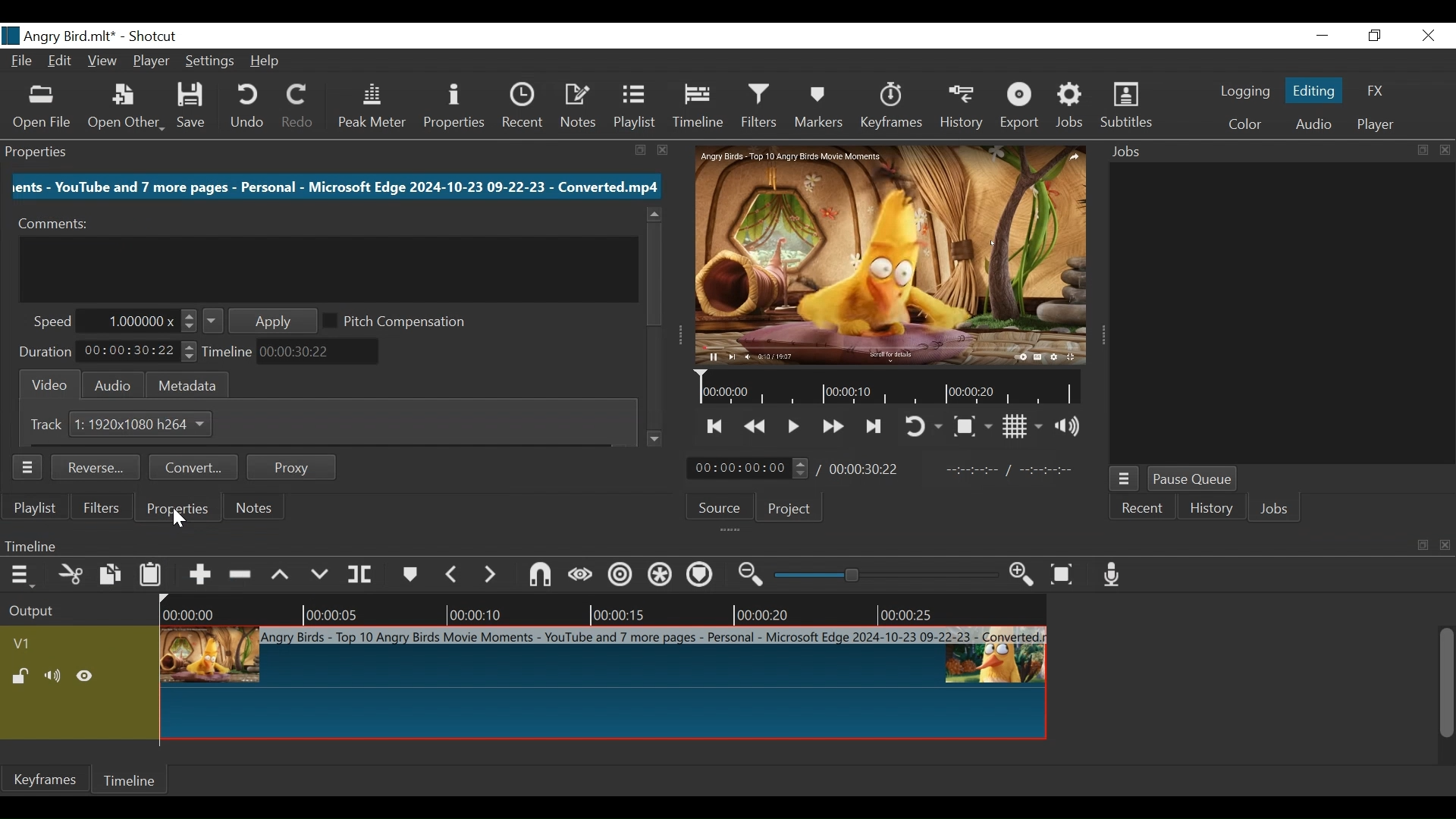  Describe the element at coordinates (58, 223) in the screenshot. I see `Comments` at that location.